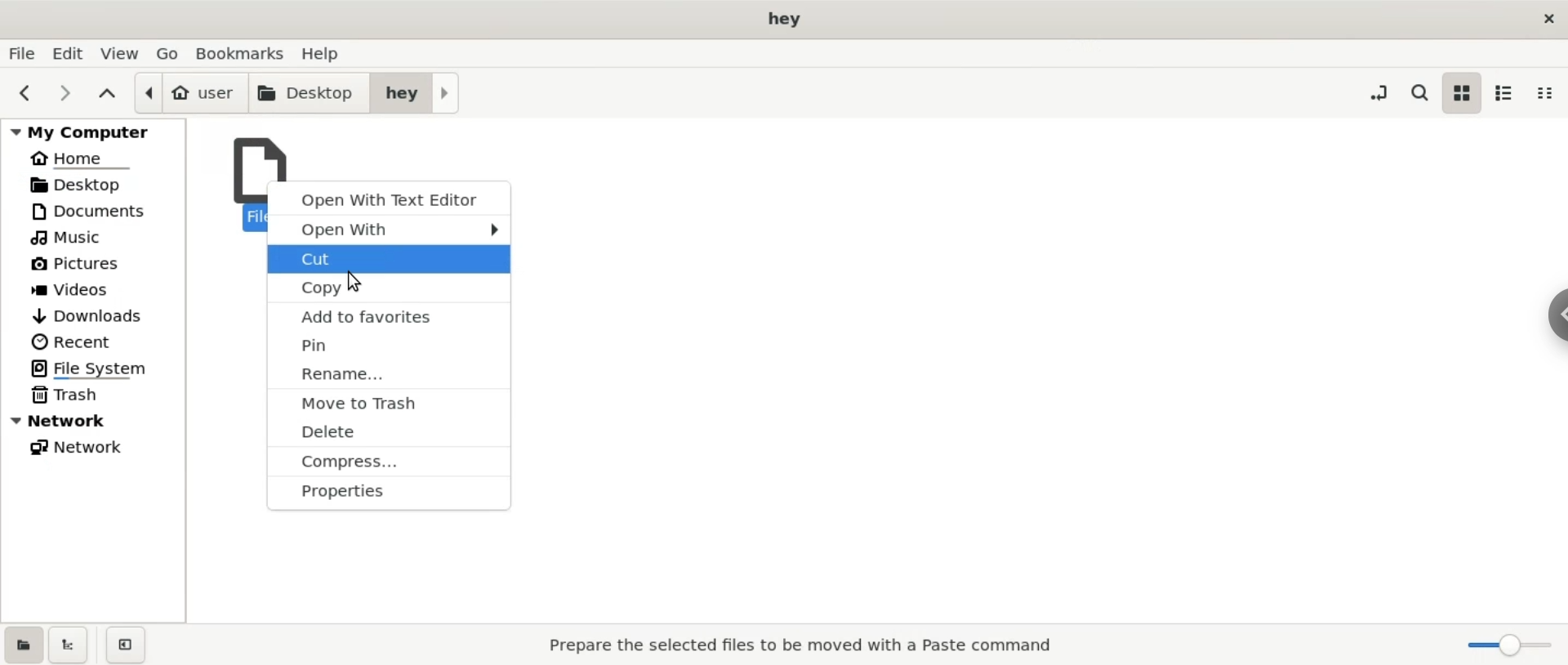 The height and width of the screenshot is (665, 1568). I want to click on move to trash, so click(388, 400).